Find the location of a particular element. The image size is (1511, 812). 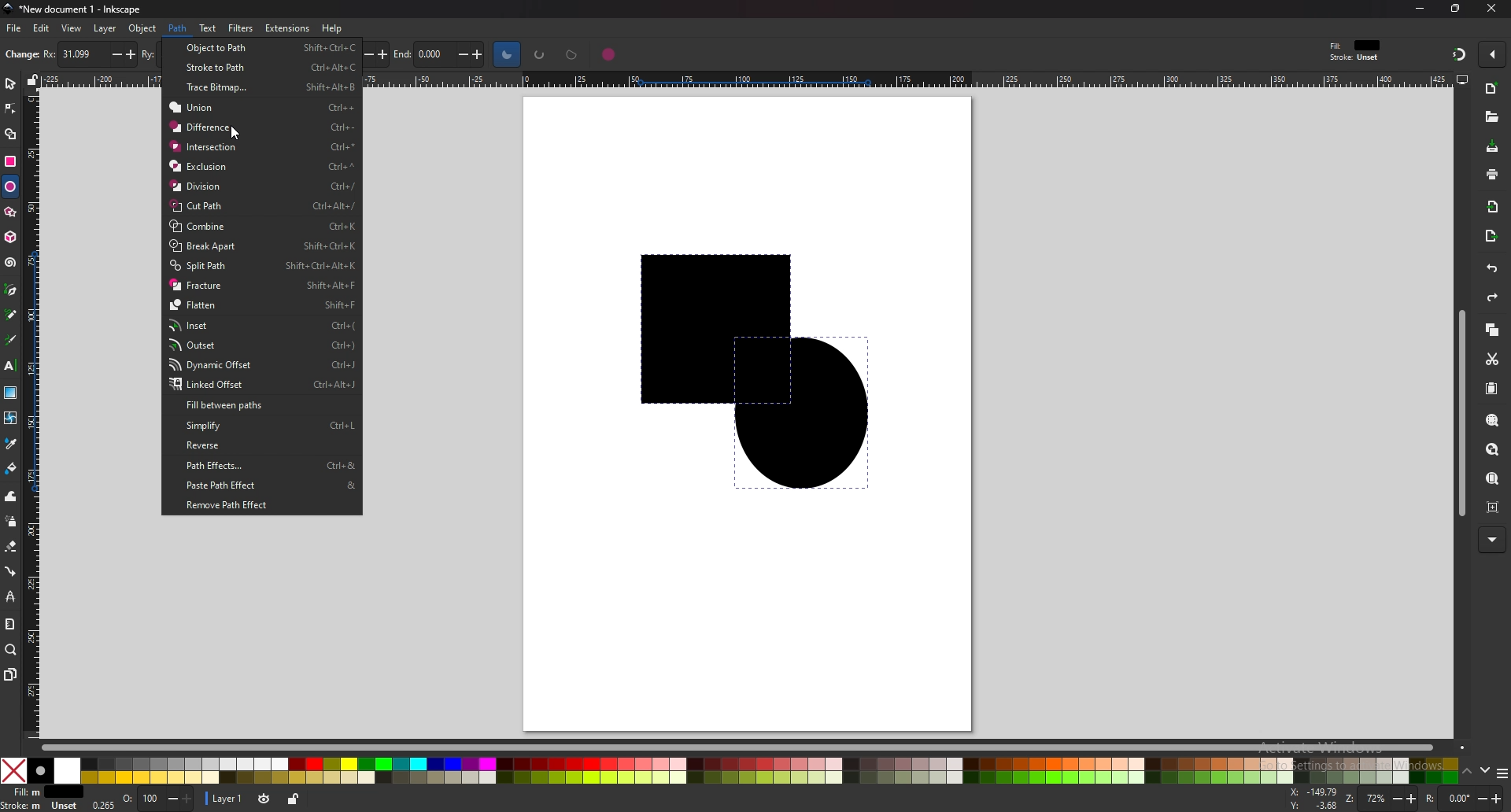

select is located at coordinates (10, 82).